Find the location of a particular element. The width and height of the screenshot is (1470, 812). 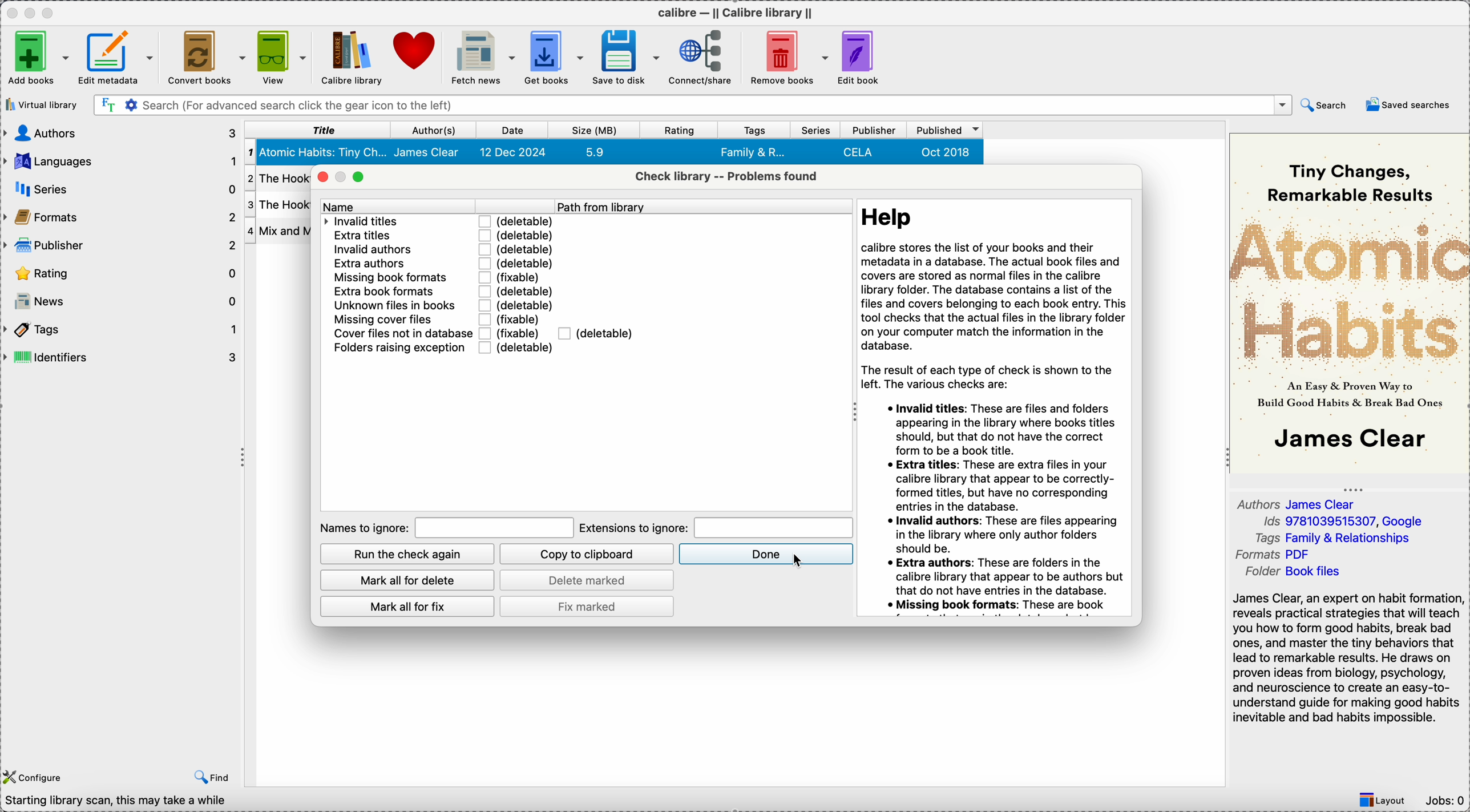

information is located at coordinates (996, 409).